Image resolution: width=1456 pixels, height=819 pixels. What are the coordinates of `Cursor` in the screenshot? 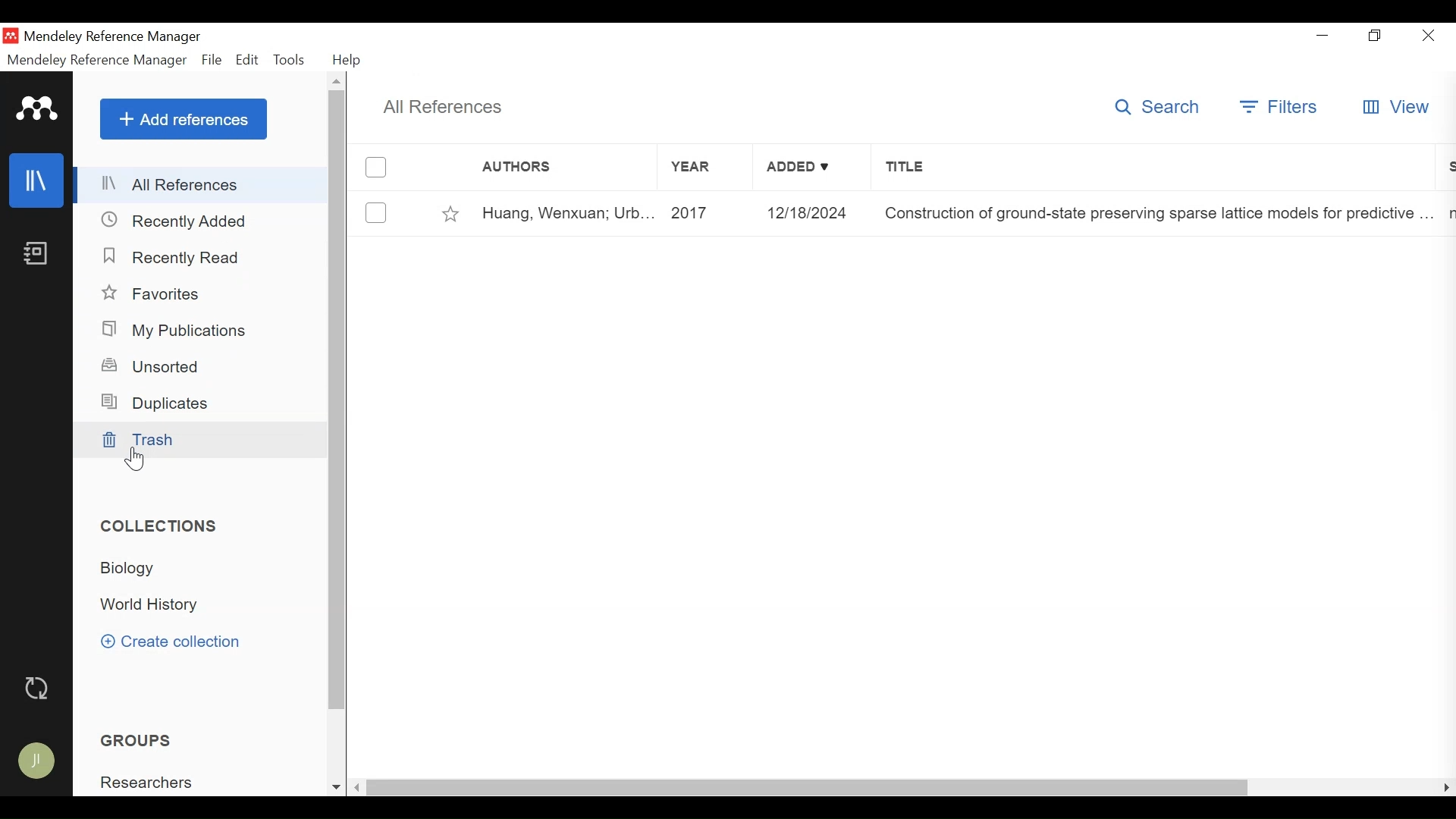 It's located at (136, 459).